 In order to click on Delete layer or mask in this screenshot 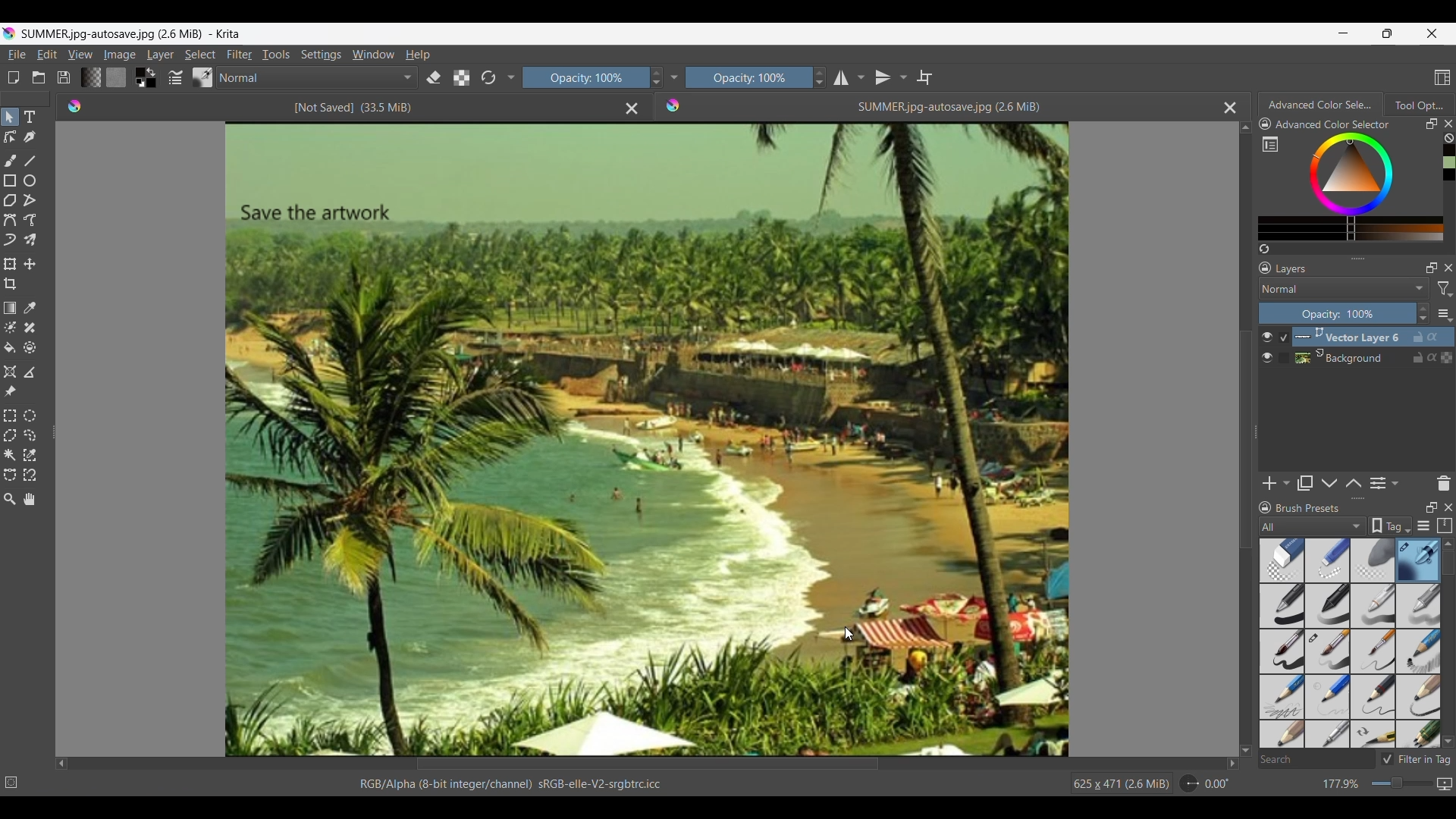, I will do `click(1443, 484)`.